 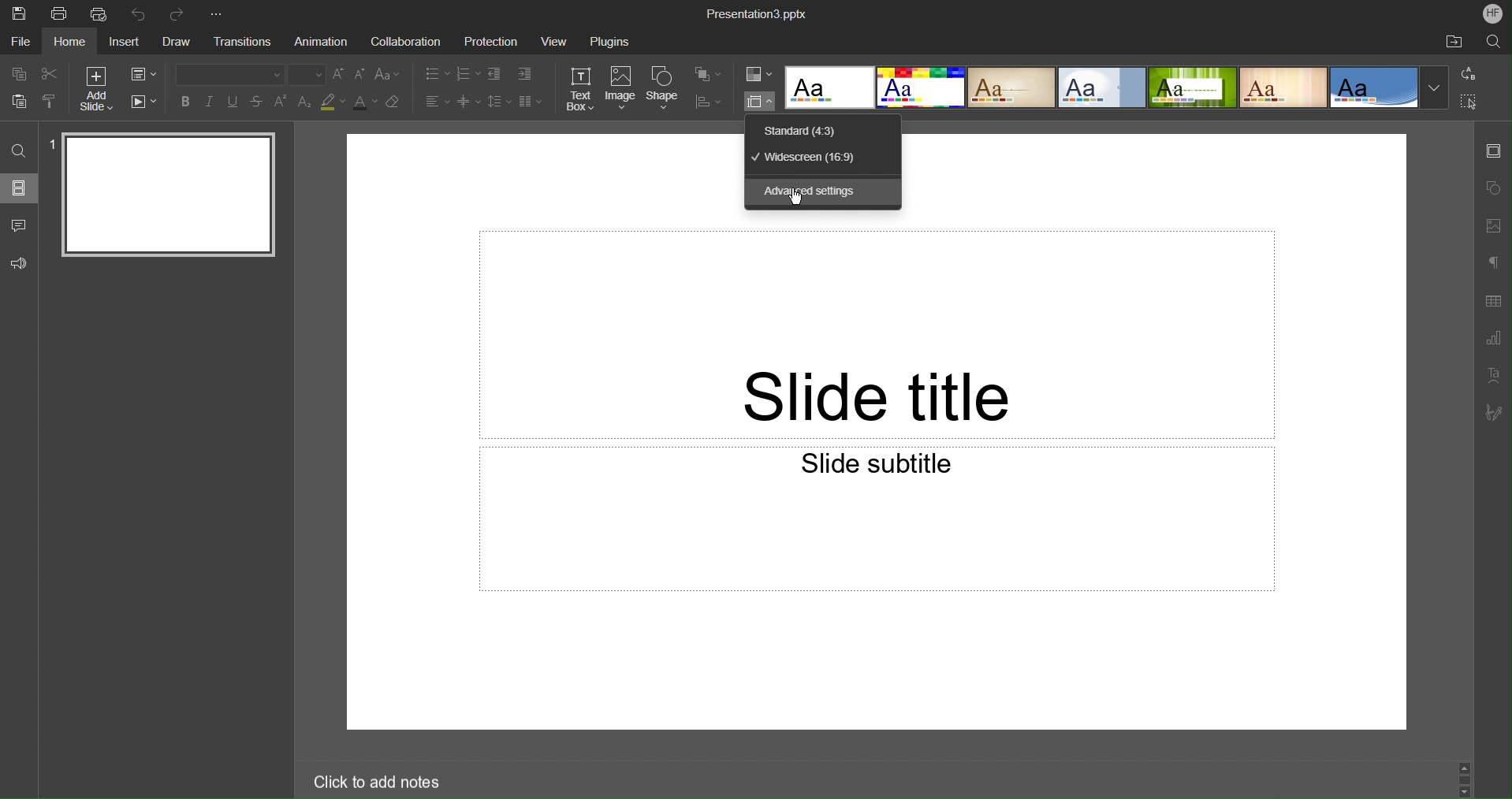 I want to click on Standard(4:3), so click(x=800, y=130).